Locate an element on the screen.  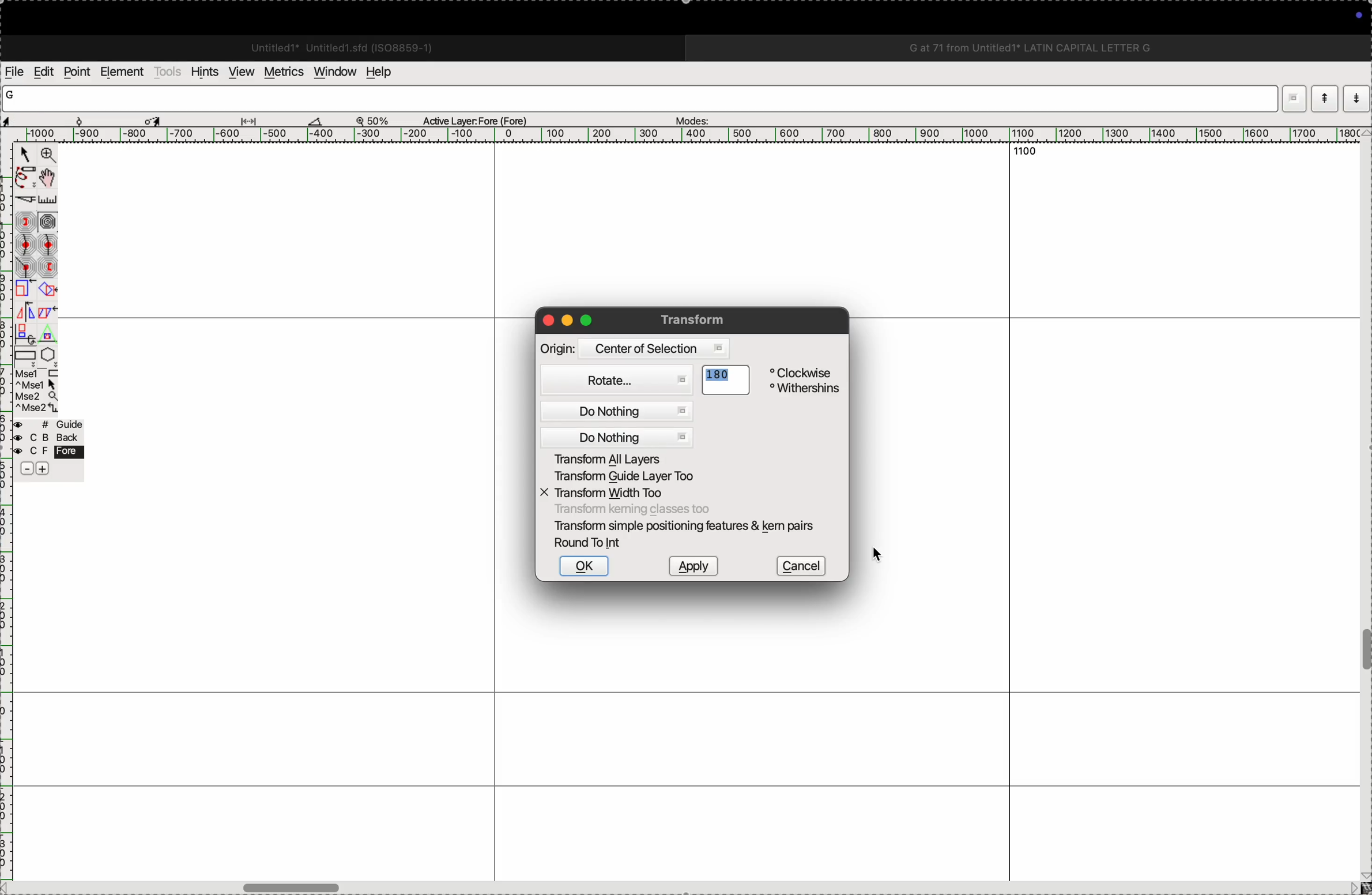
close is located at coordinates (545, 320).